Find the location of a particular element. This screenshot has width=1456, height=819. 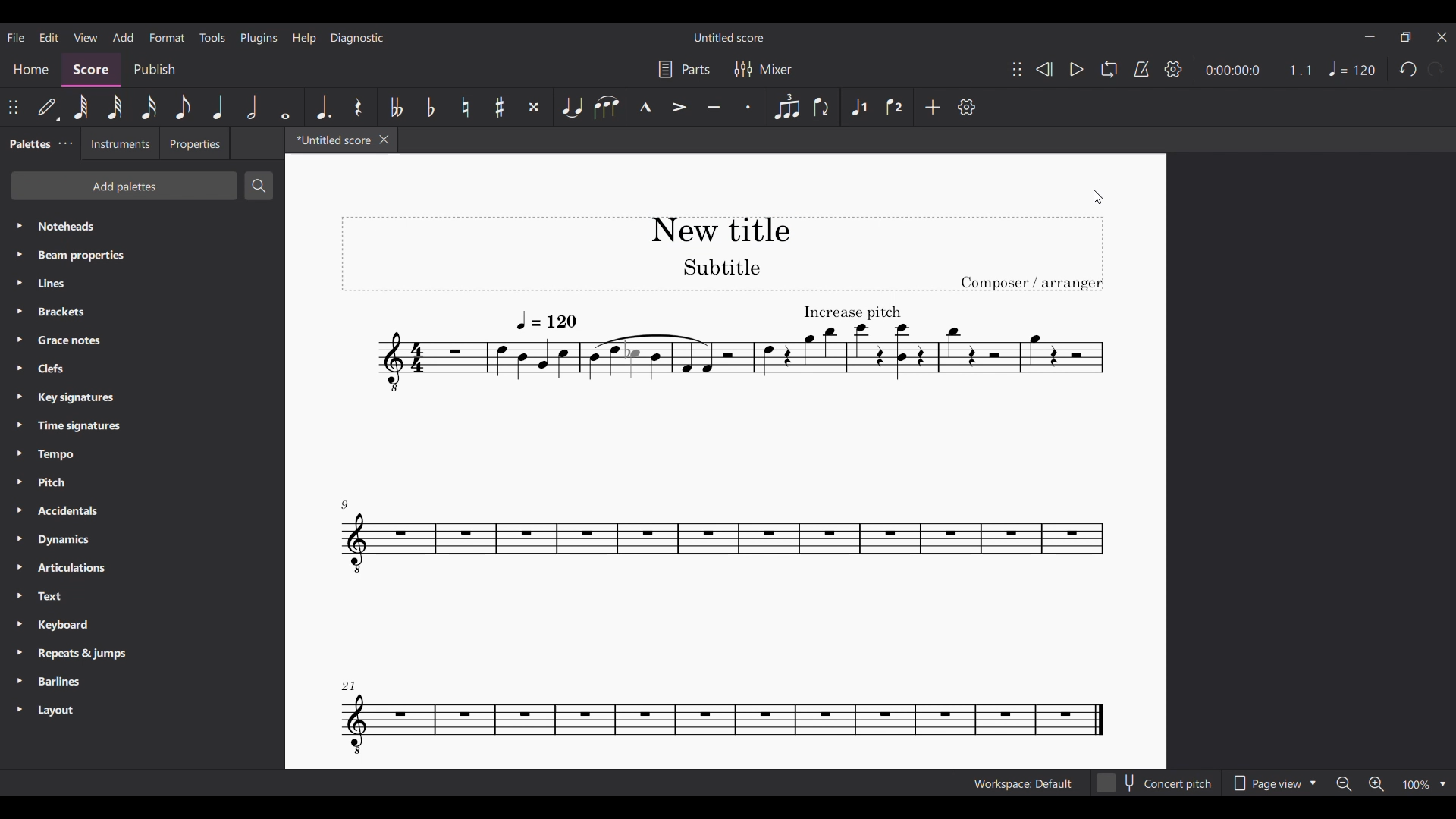

Zoom out is located at coordinates (1345, 783).